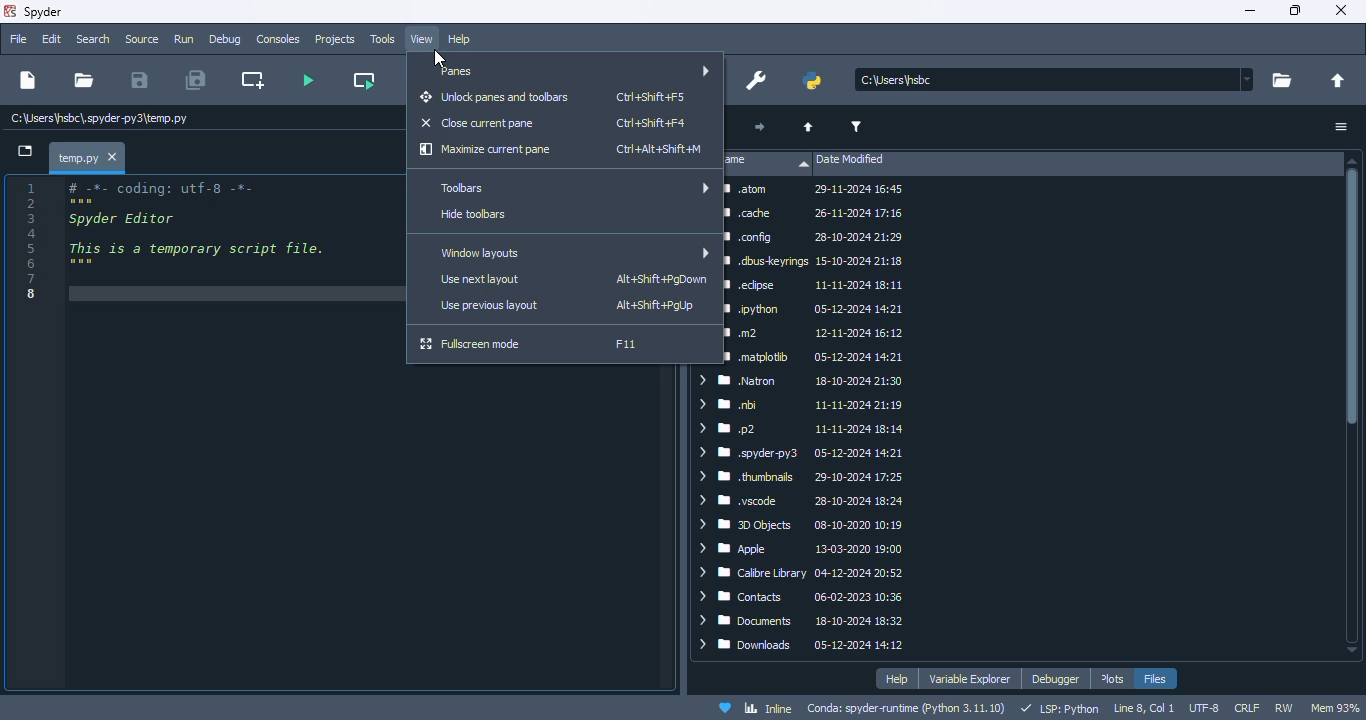 The width and height of the screenshot is (1366, 720). I want to click on shortcut for unlock panes and toolbars, so click(651, 96).